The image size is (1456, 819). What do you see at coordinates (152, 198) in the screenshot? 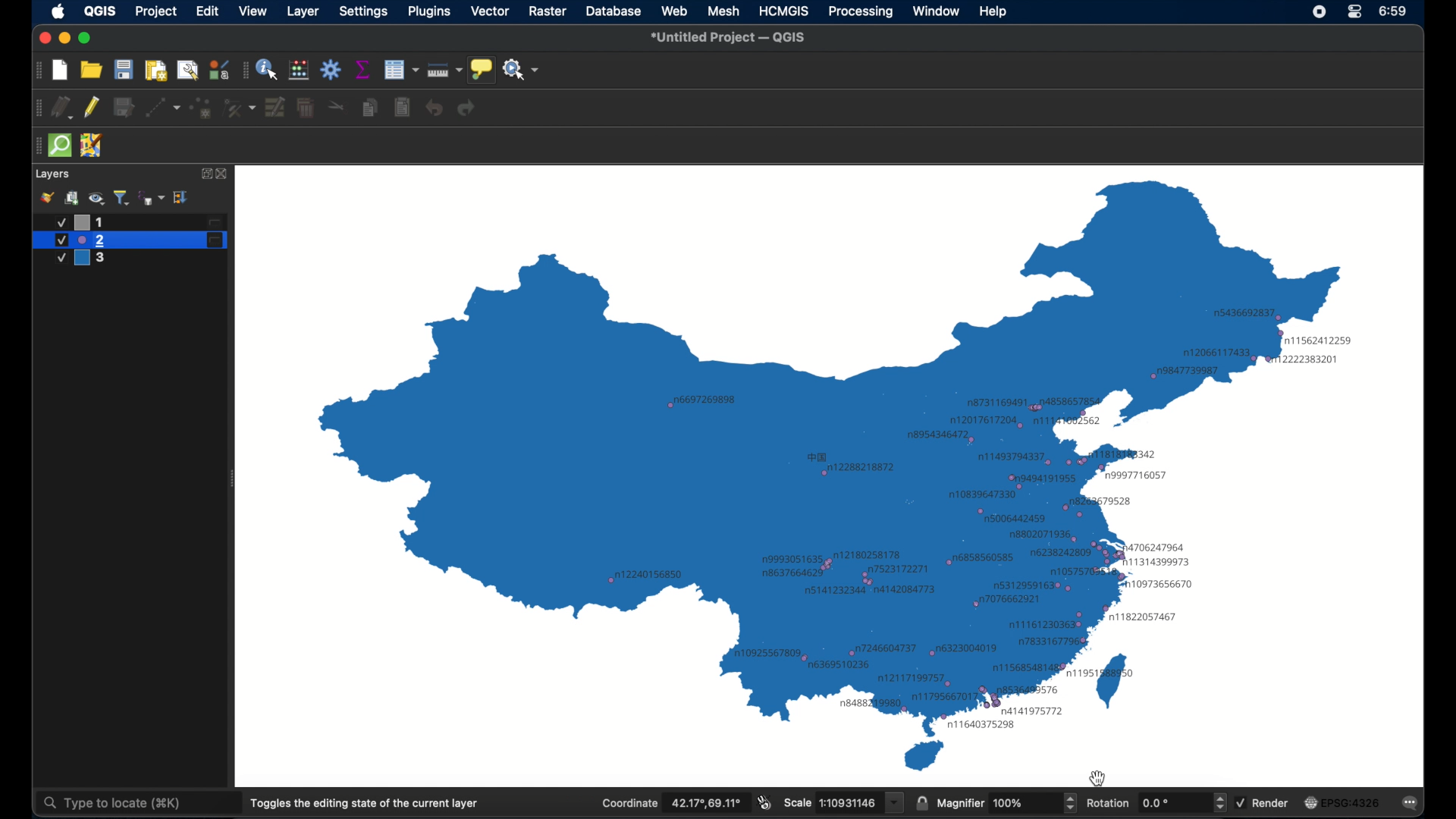
I see `filter legend by expression` at bounding box center [152, 198].